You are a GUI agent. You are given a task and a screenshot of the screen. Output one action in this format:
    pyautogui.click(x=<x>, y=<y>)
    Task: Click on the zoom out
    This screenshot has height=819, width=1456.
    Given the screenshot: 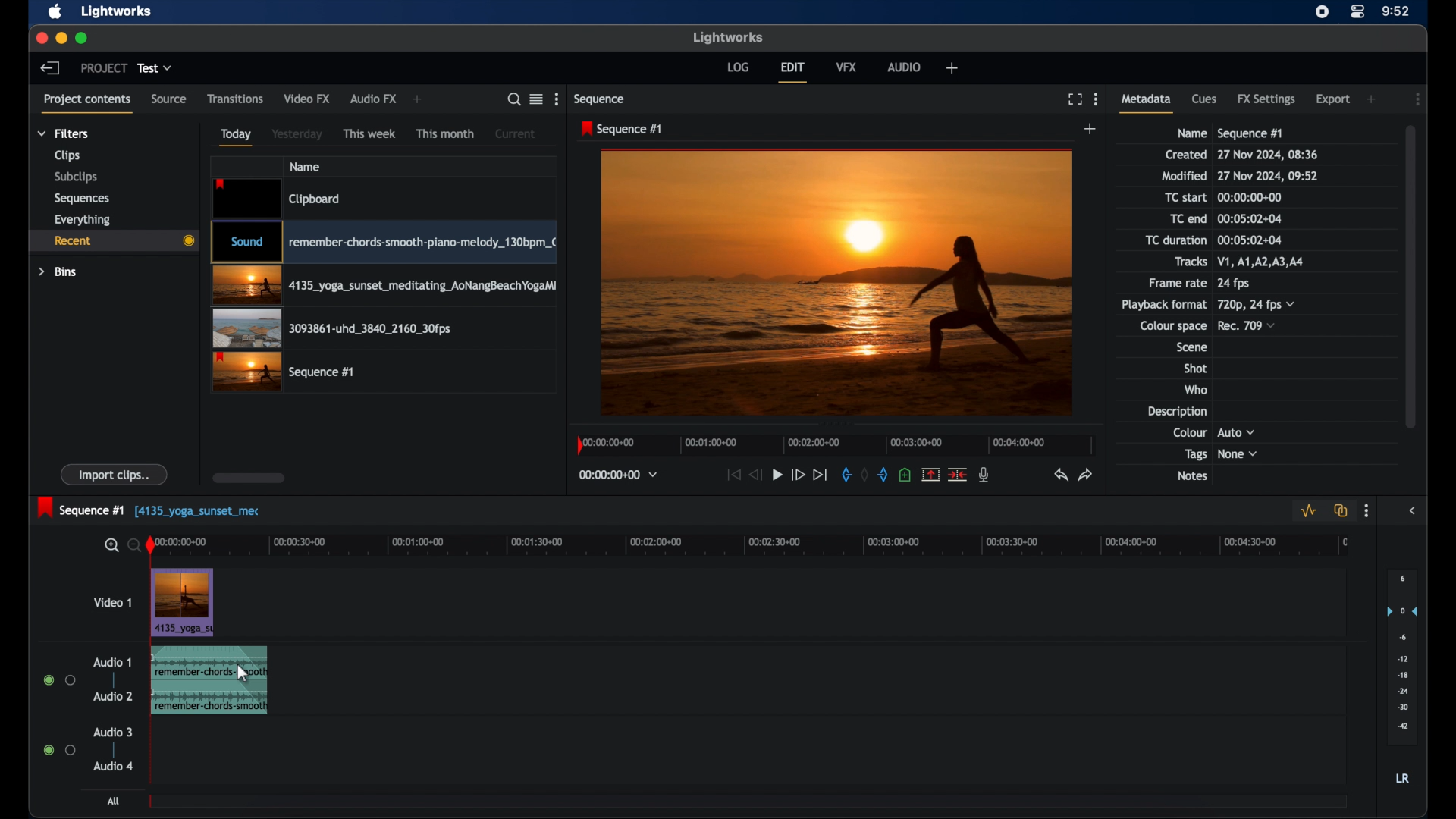 What is the action you would take?
    pyautogui.click(x=130, y=544)
    